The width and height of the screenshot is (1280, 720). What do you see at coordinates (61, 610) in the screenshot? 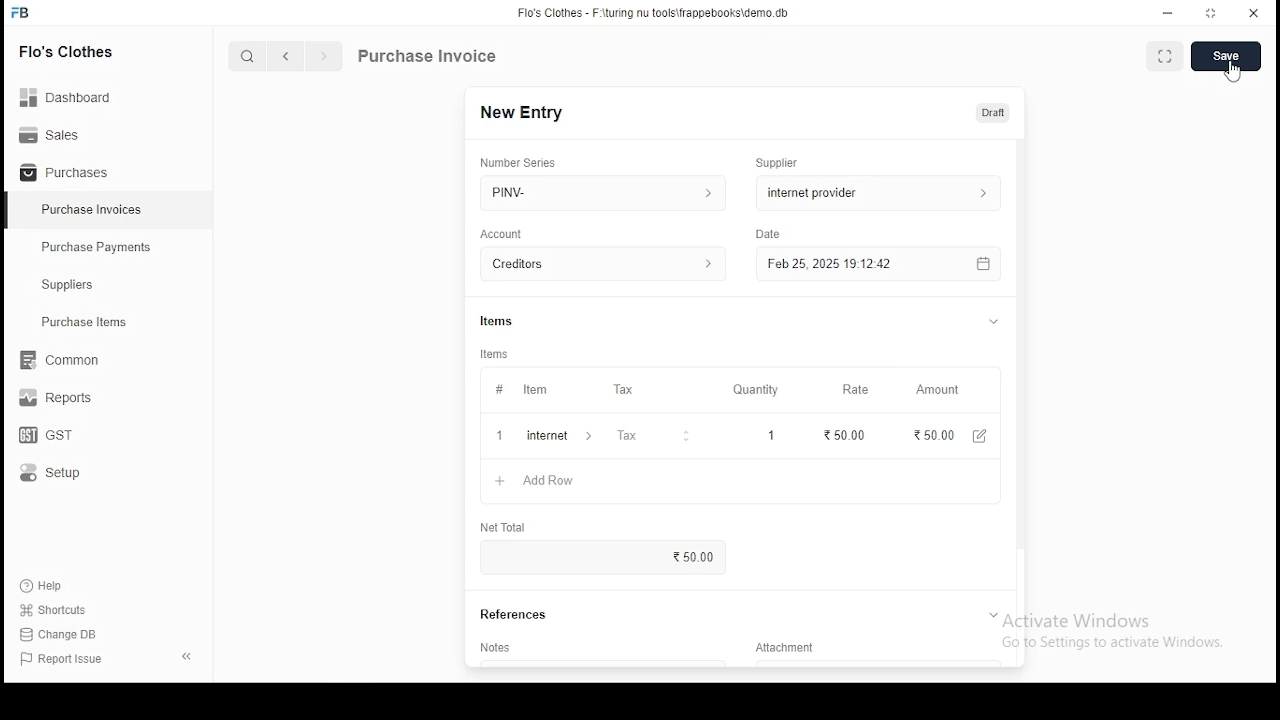
I see `Shortcuts` at bounding box center [61, 610].